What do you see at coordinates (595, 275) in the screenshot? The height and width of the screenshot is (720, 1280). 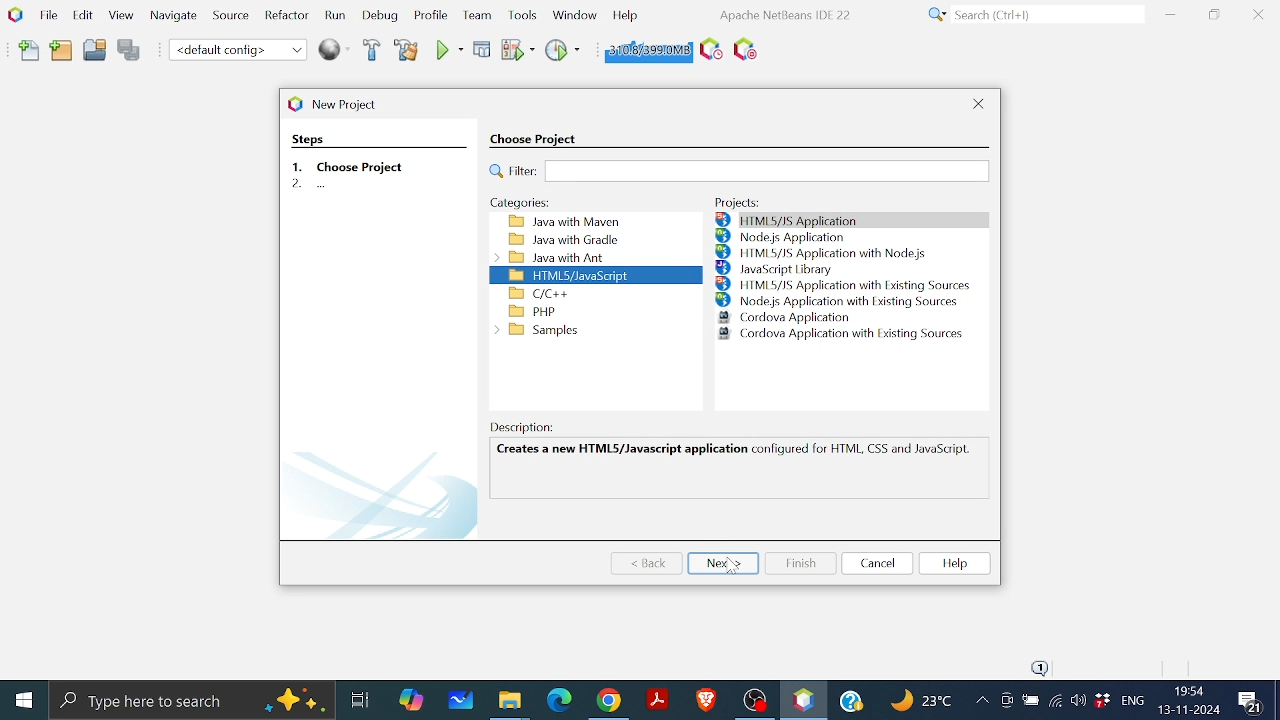 I see `HTML/JAVA script` at bounding box center [595, 275].